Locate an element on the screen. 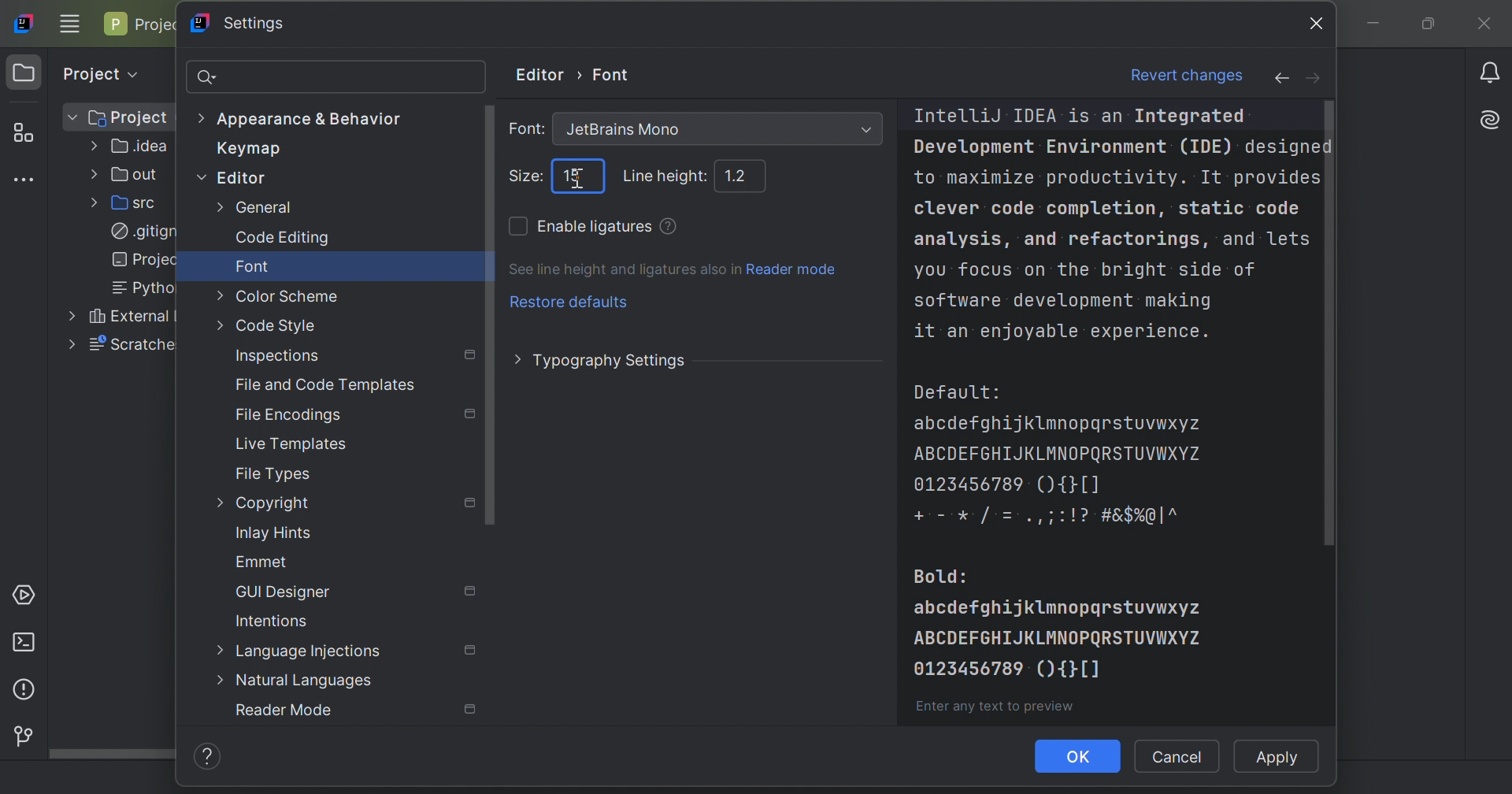  Font is located at coordinates (254, 265).